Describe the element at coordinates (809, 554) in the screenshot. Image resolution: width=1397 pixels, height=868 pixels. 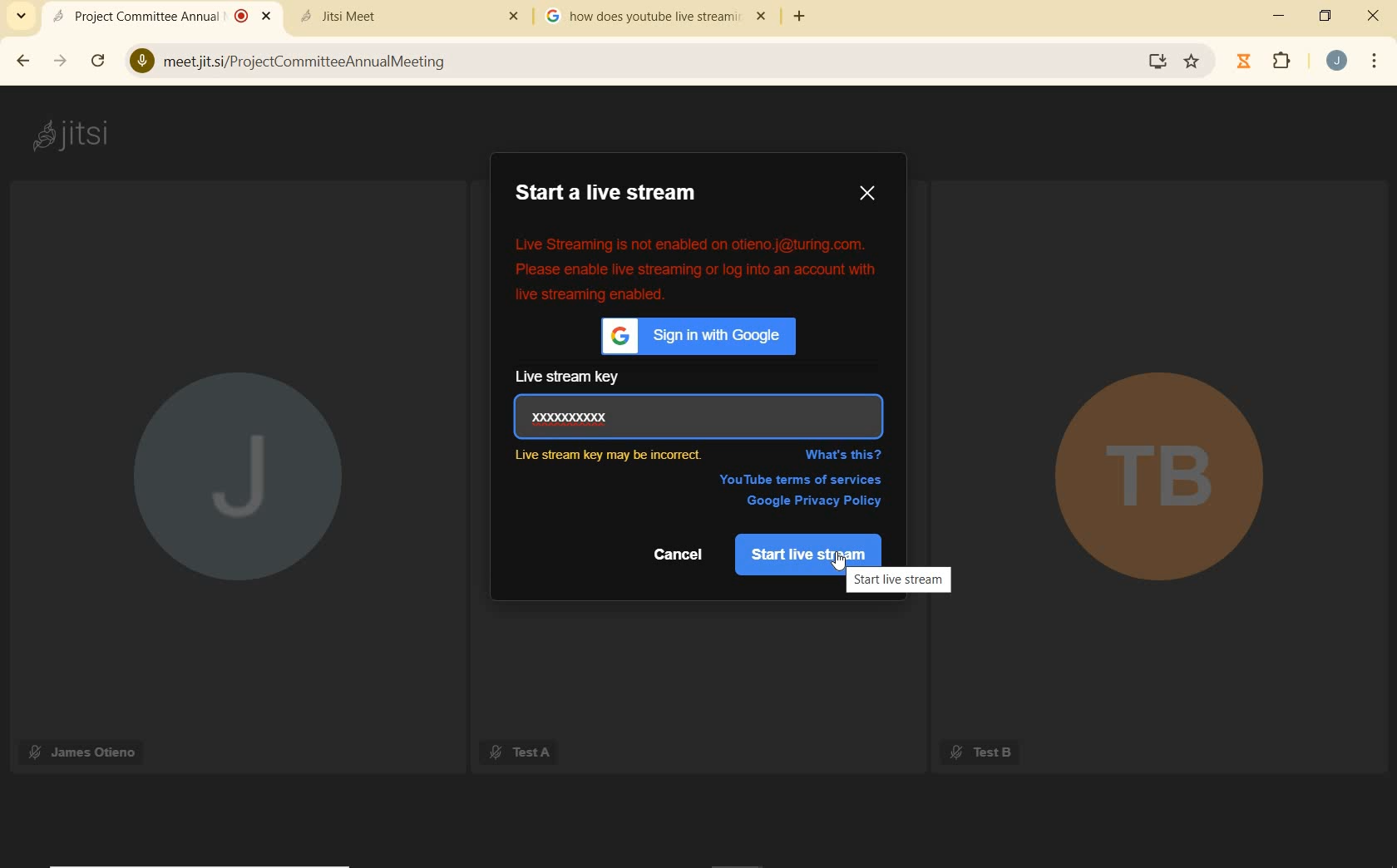
I see `start live stream` at that location.